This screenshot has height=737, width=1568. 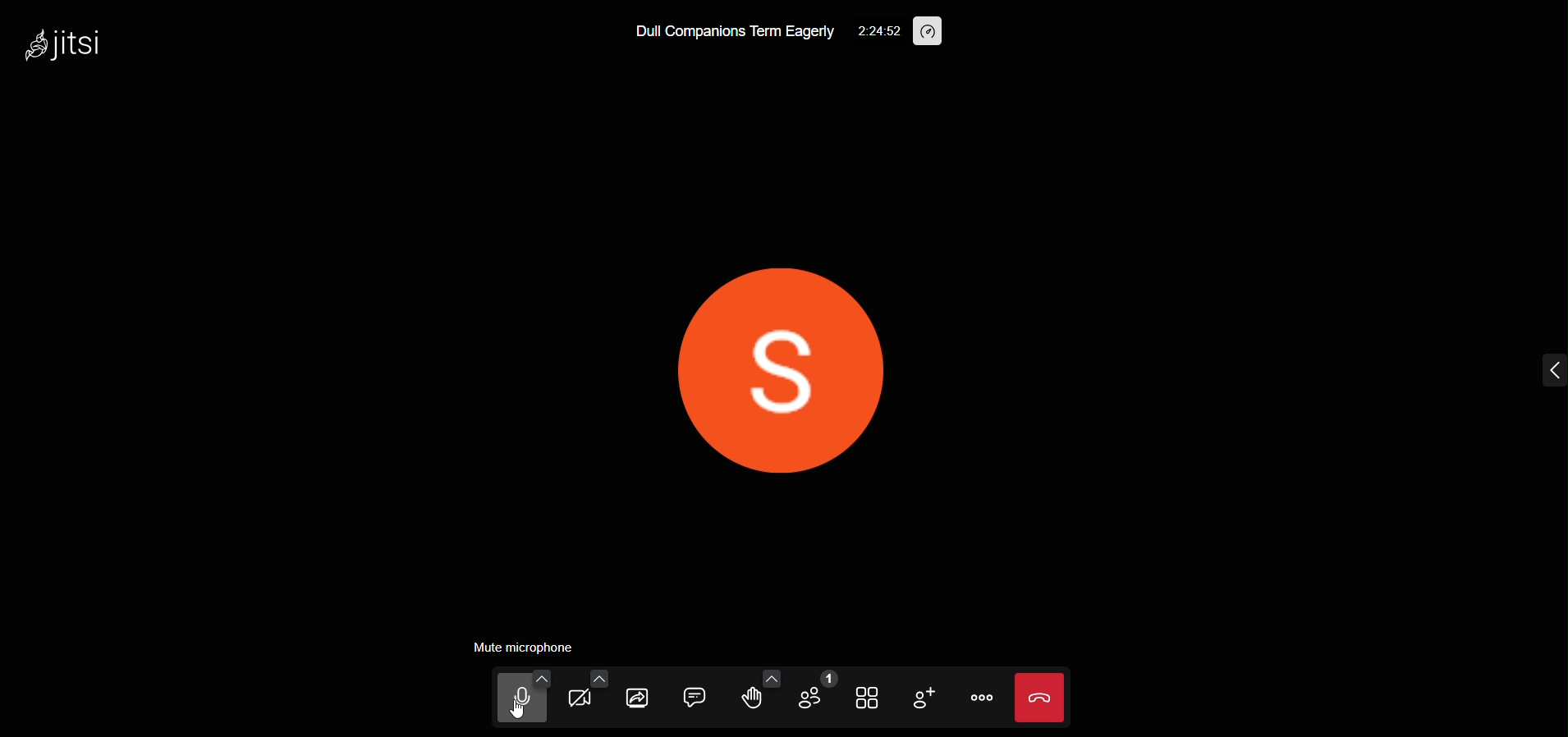 What do you see at coordinates (63, 47) in the screenshot?
I see `logo` at bounding box center [63, 47].